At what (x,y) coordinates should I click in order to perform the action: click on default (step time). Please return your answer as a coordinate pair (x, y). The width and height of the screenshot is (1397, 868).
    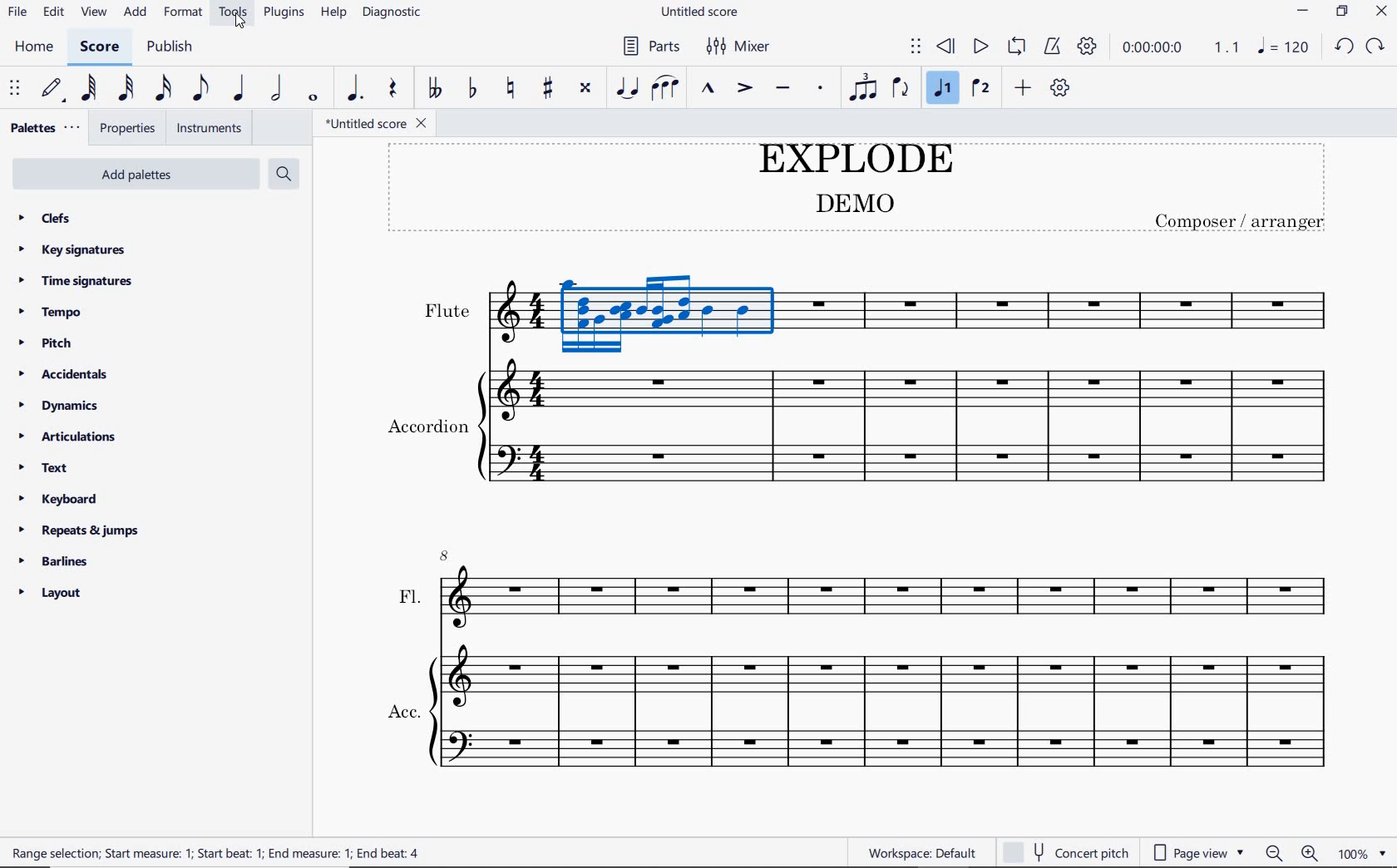
    Looking at the image, I should click on (53, 90).